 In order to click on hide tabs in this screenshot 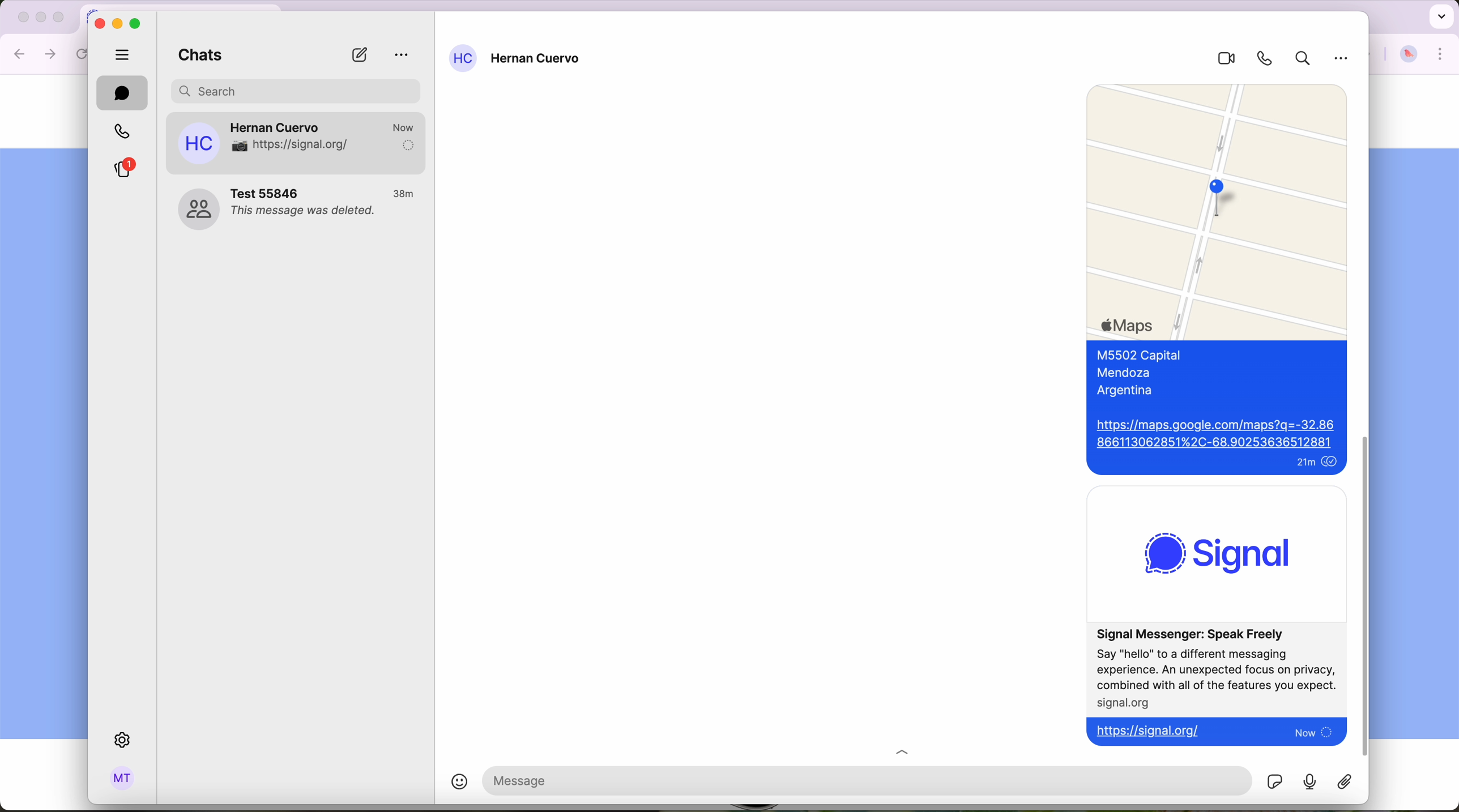, I will do `click(123, 53)`.